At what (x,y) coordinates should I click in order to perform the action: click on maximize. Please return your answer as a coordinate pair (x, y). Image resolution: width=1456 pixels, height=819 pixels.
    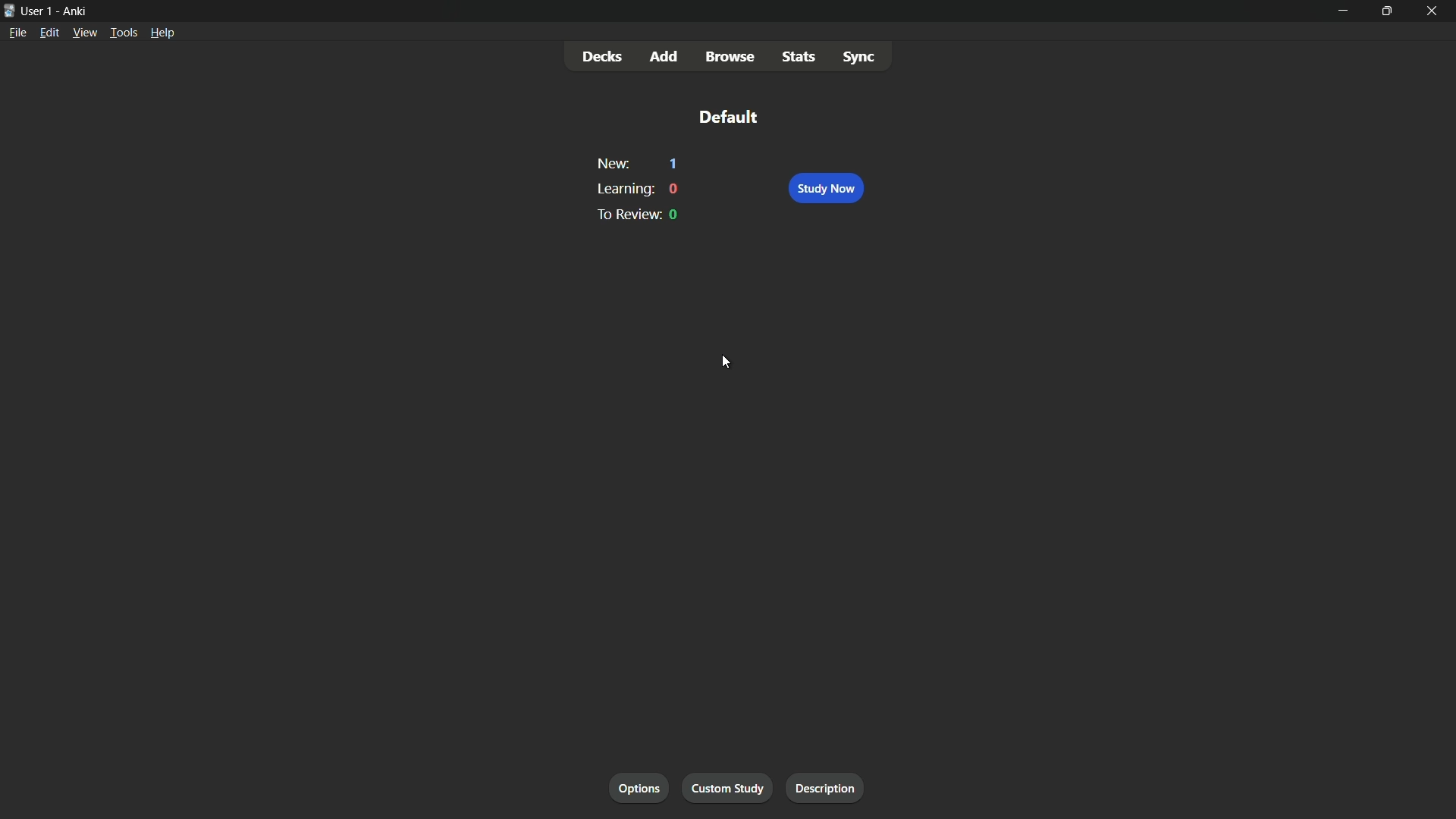
    Looking at the image, I should click on (1387, 11).